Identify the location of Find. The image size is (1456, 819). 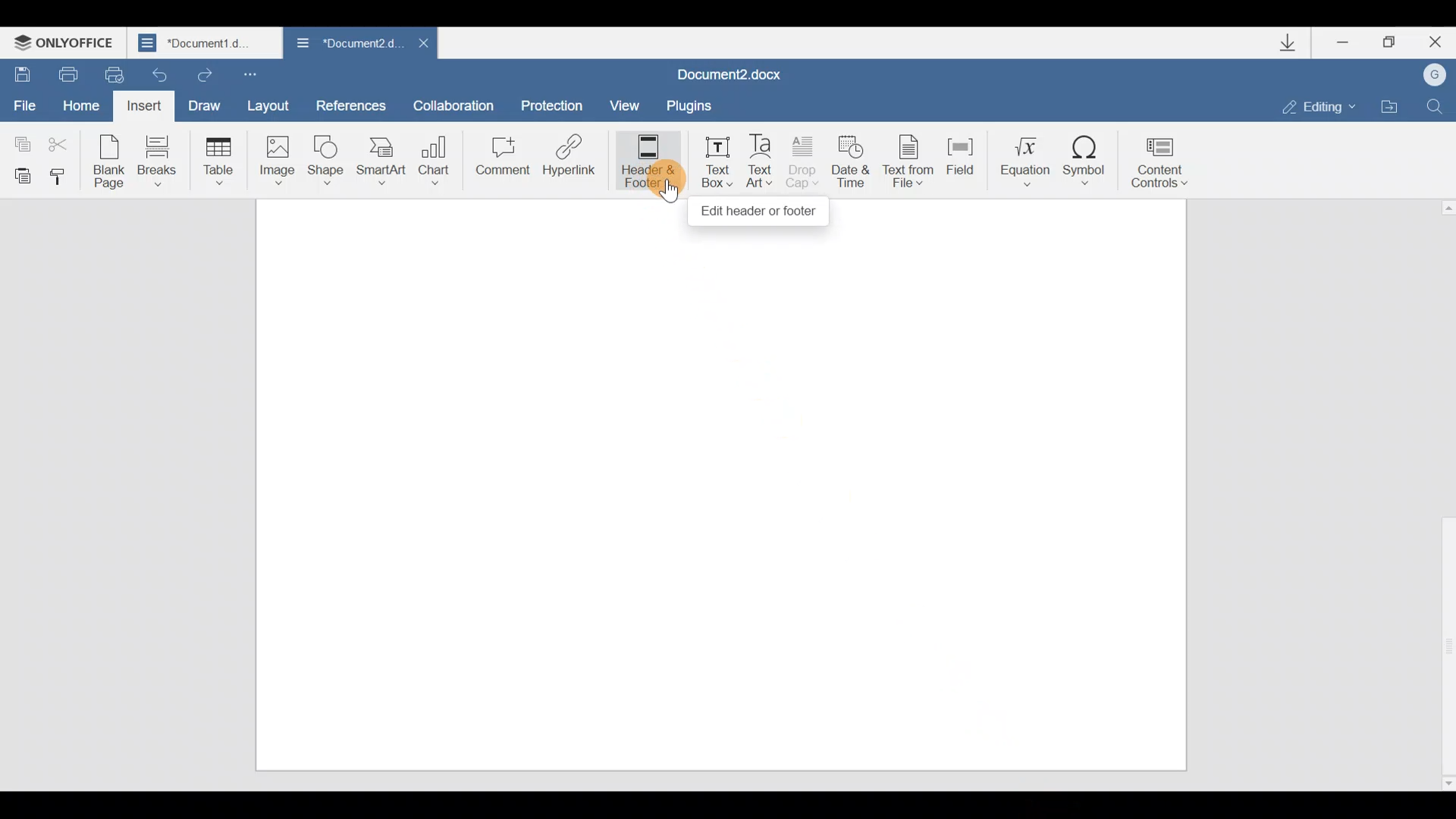
(1441, 104).